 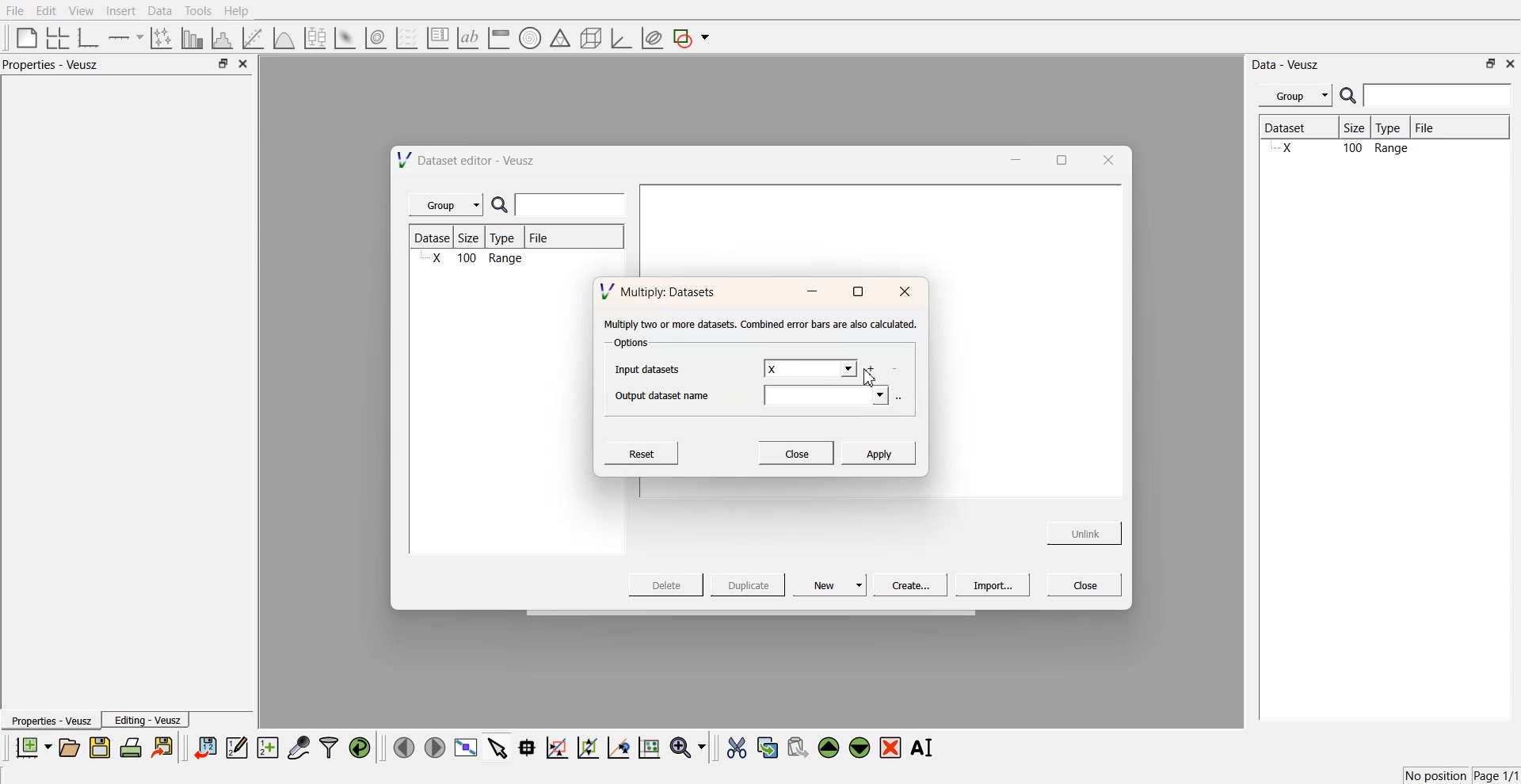 What do you see at coordinates (284, 36) in the screenshot?
I see `plot a function on a graph` at bounding box center [284, 36].